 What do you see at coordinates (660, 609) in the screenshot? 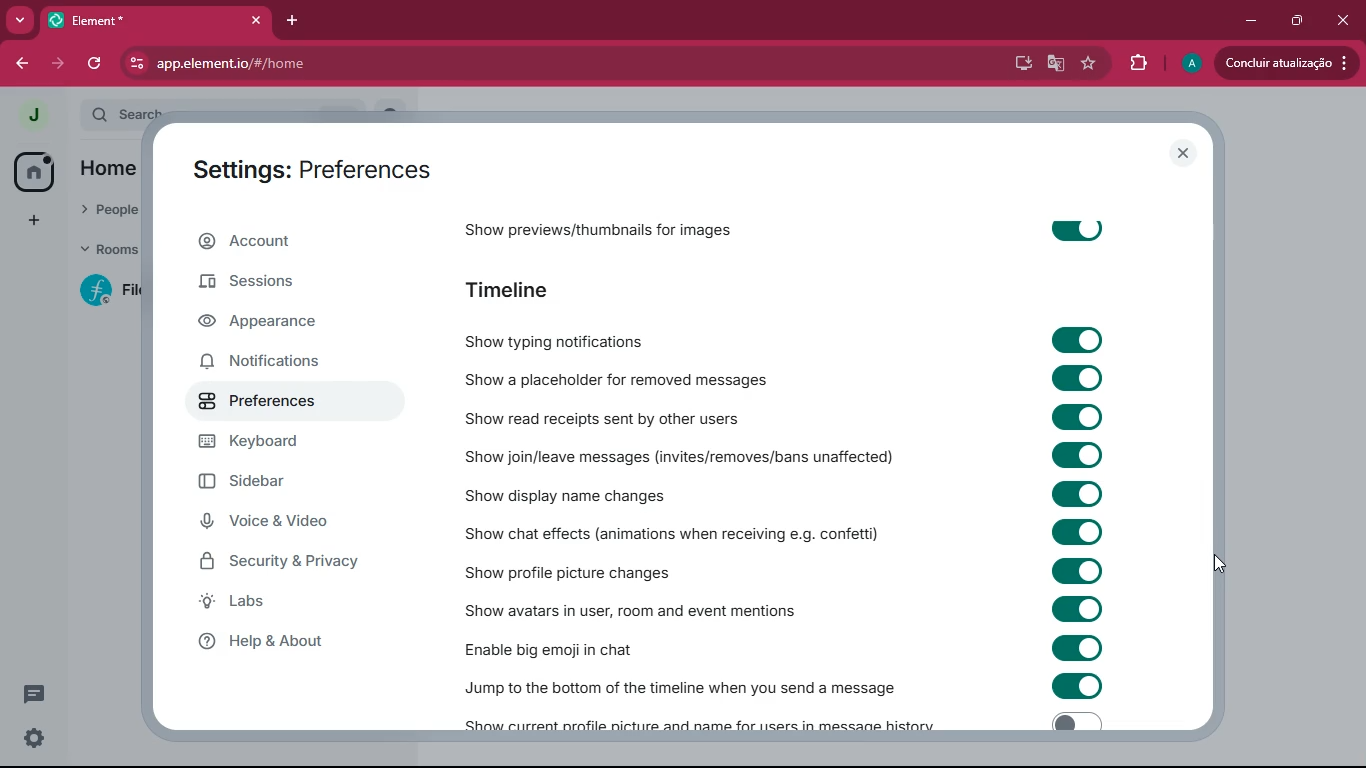
I see `show avatars in user, room and event mentions` at bounding box center [660, 609].